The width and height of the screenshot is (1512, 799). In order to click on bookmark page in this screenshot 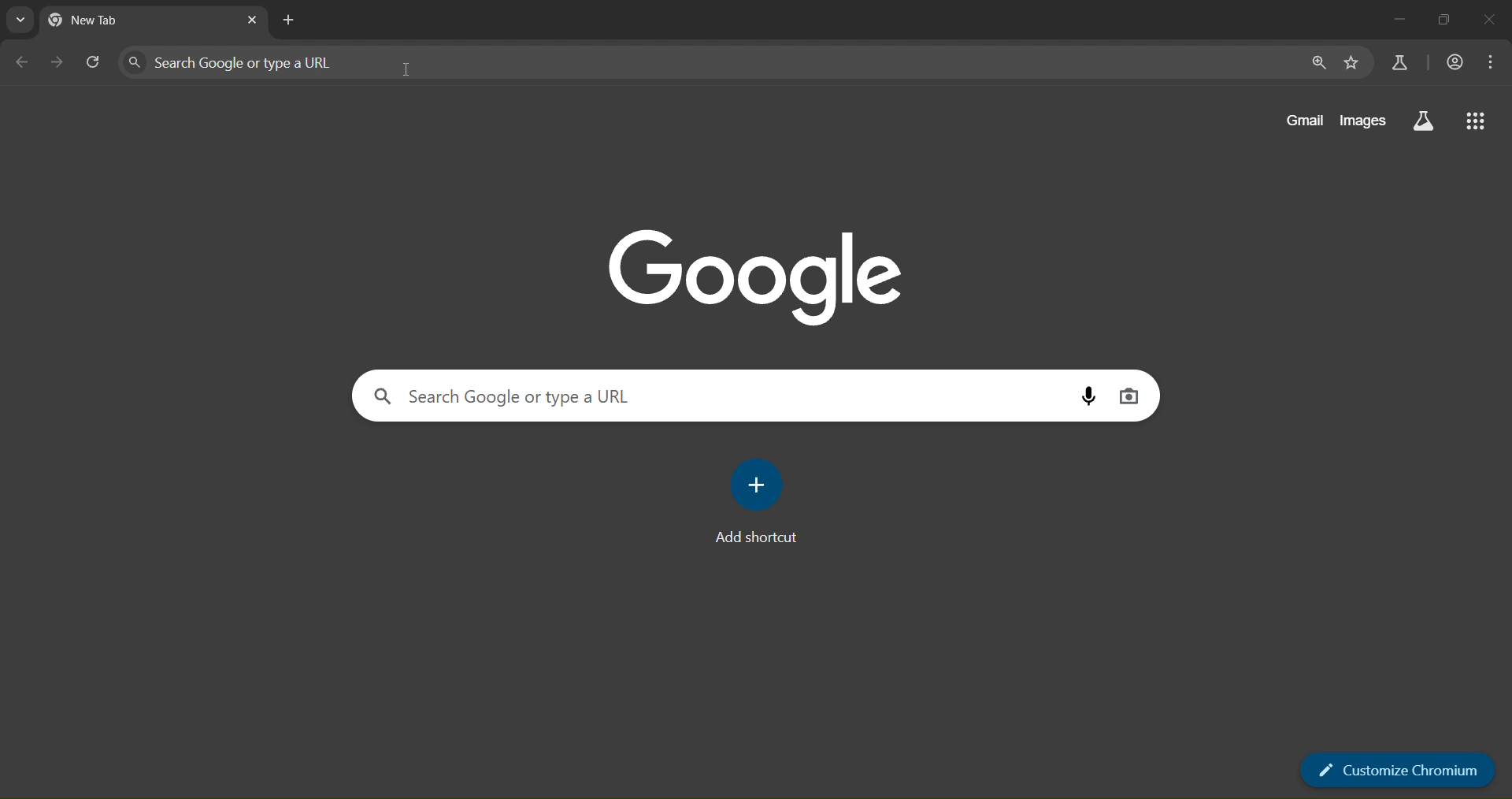, I will do `click(1349, 63)`.